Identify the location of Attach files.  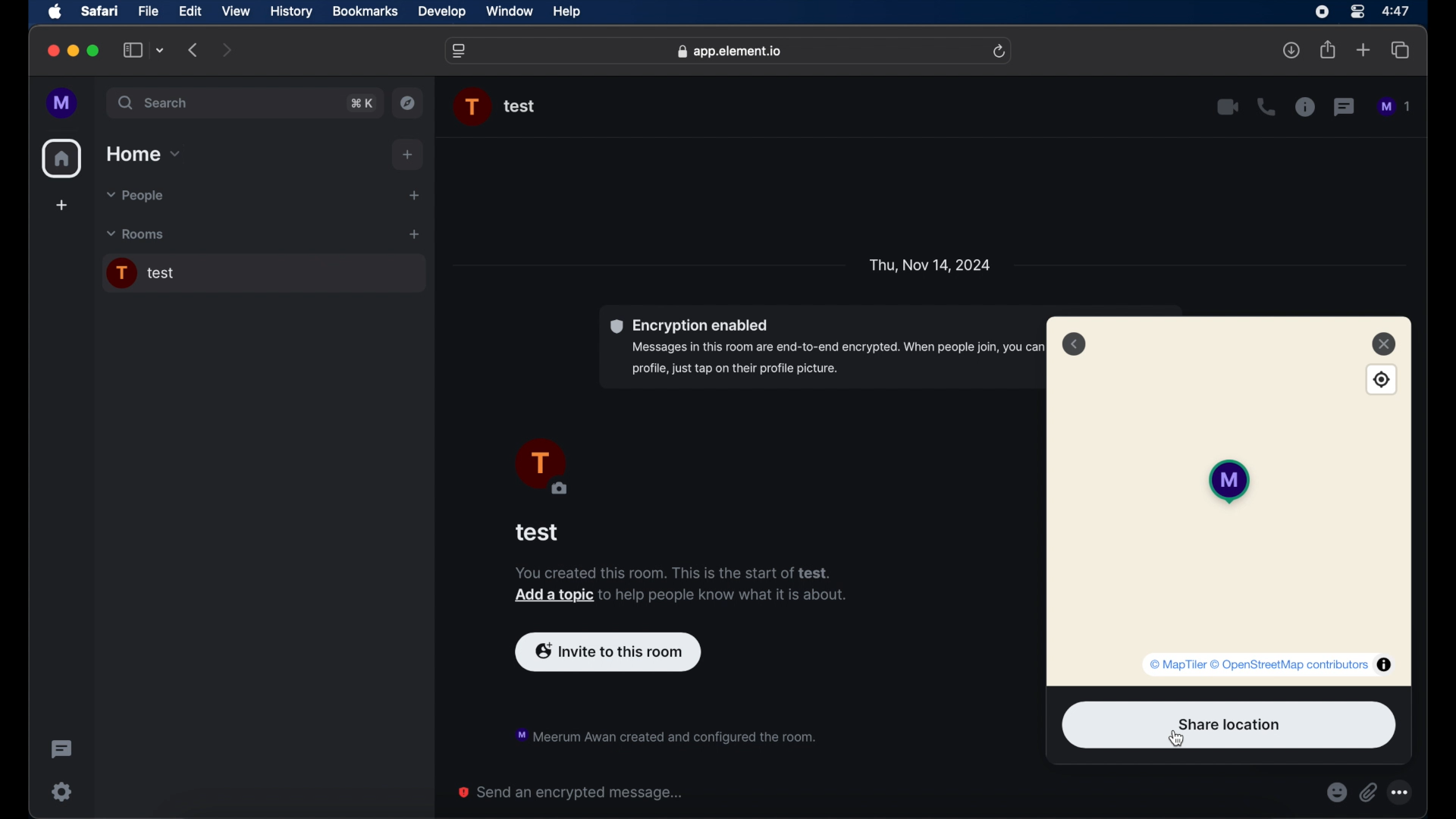
(1371, 792).